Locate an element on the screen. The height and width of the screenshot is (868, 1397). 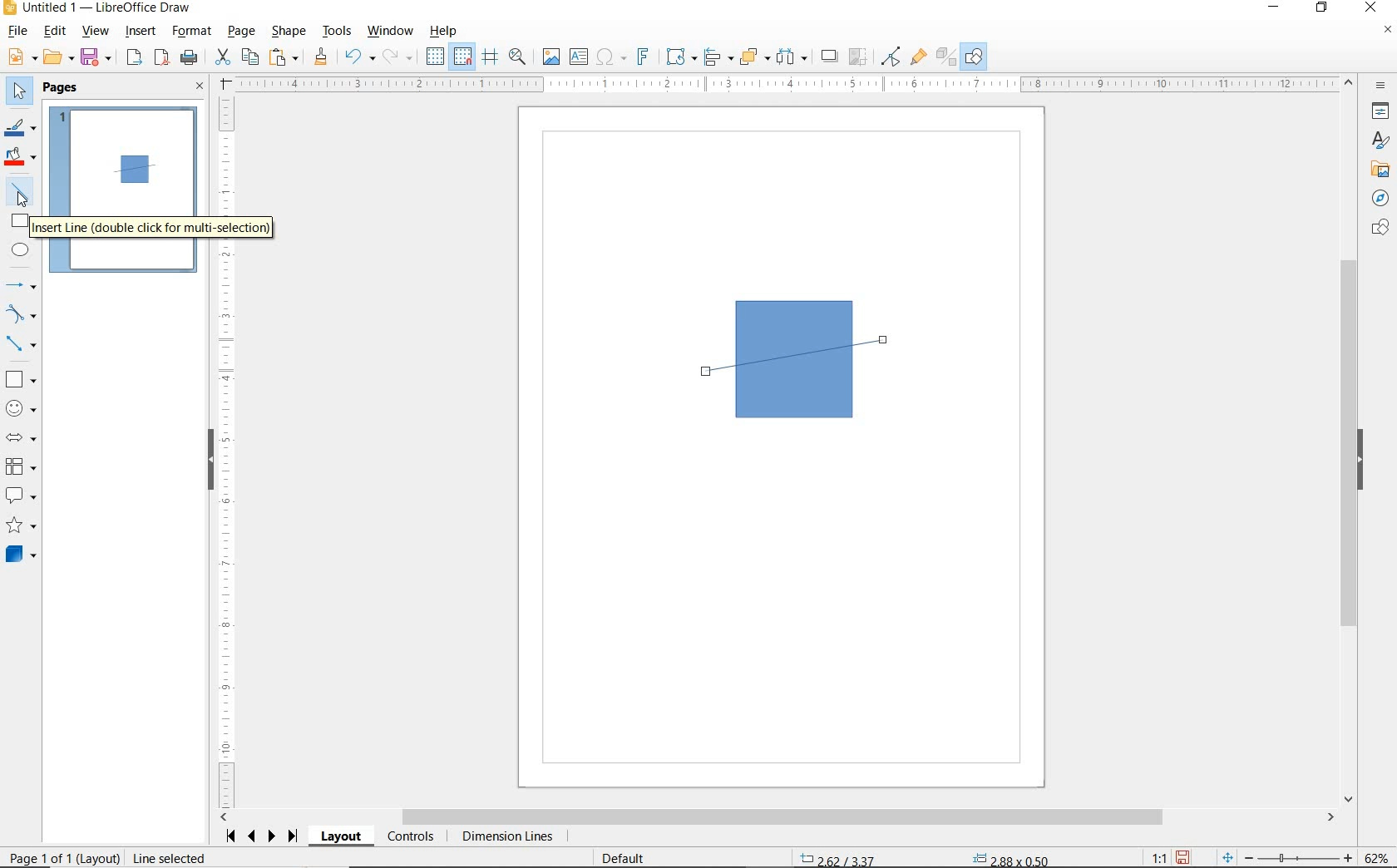
MINIMIZE is located at coordinates (1278, 8).